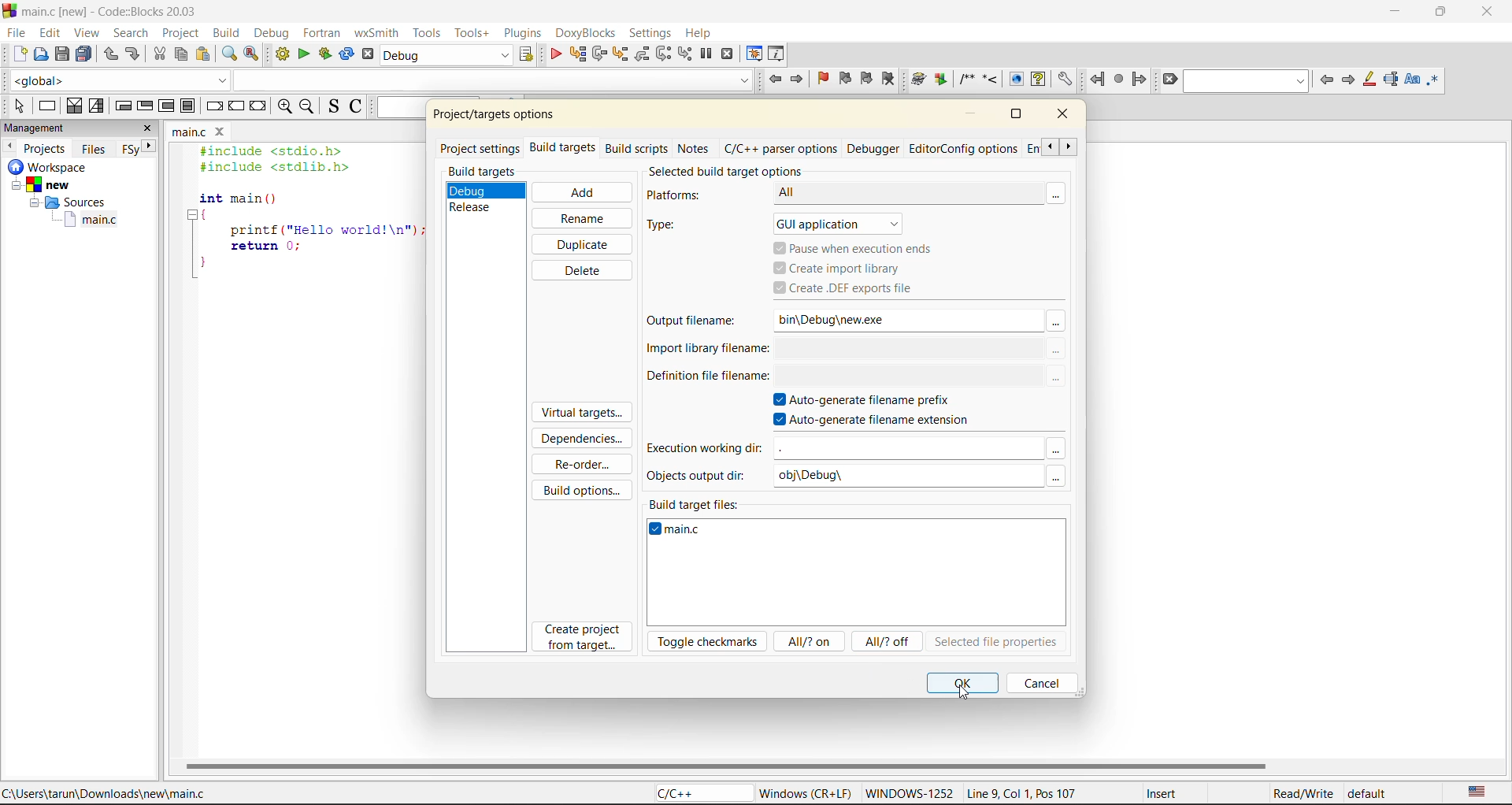 Image resolution: width=1512 pixels, height=805 pixels. Describe the element at coordinates (582, 243) in the screenshot. I see `duplicate` at that location.